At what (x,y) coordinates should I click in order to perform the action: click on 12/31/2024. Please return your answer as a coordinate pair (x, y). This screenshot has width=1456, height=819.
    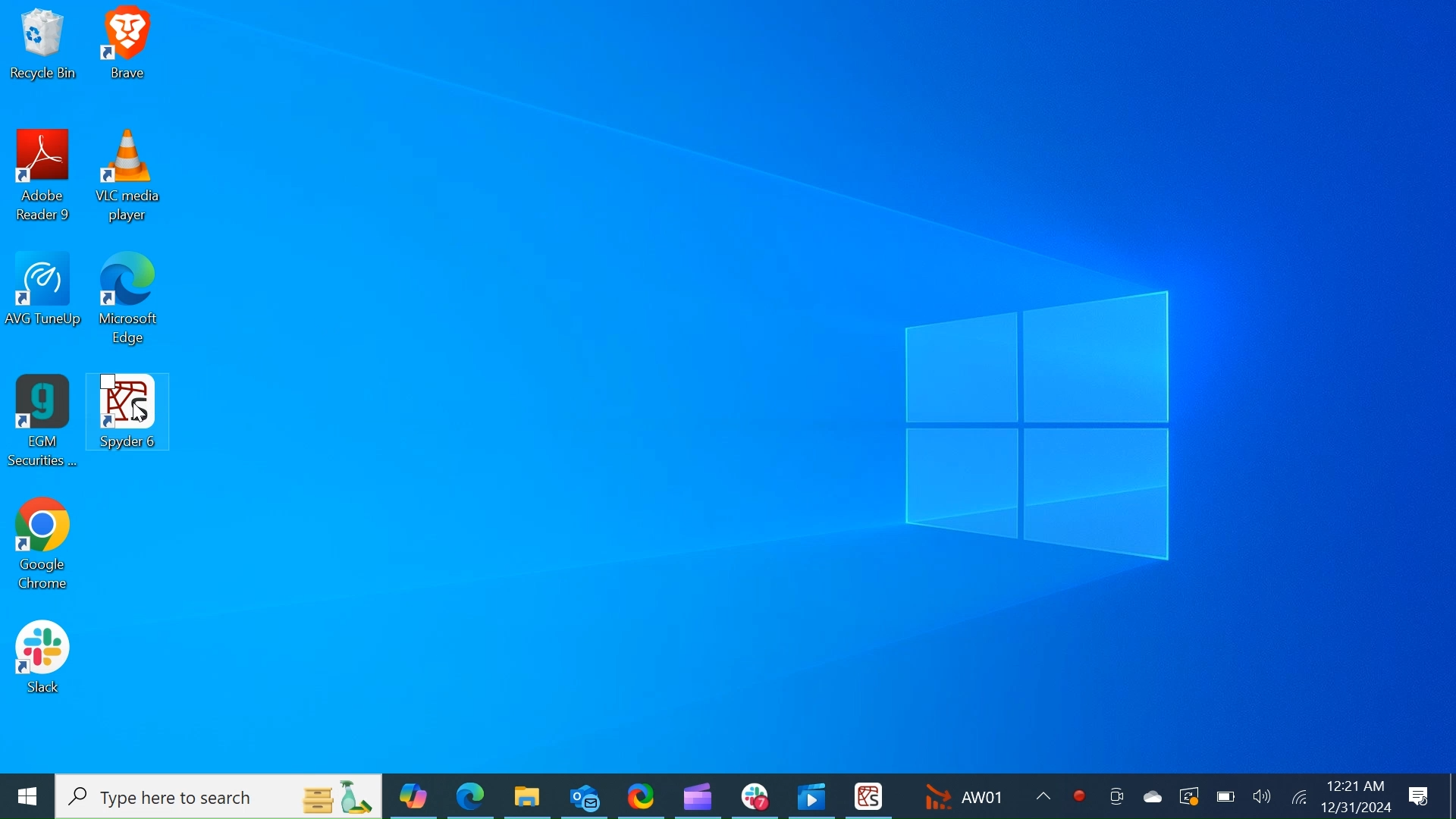
    Looking at the image, I should click on (1357, 808).